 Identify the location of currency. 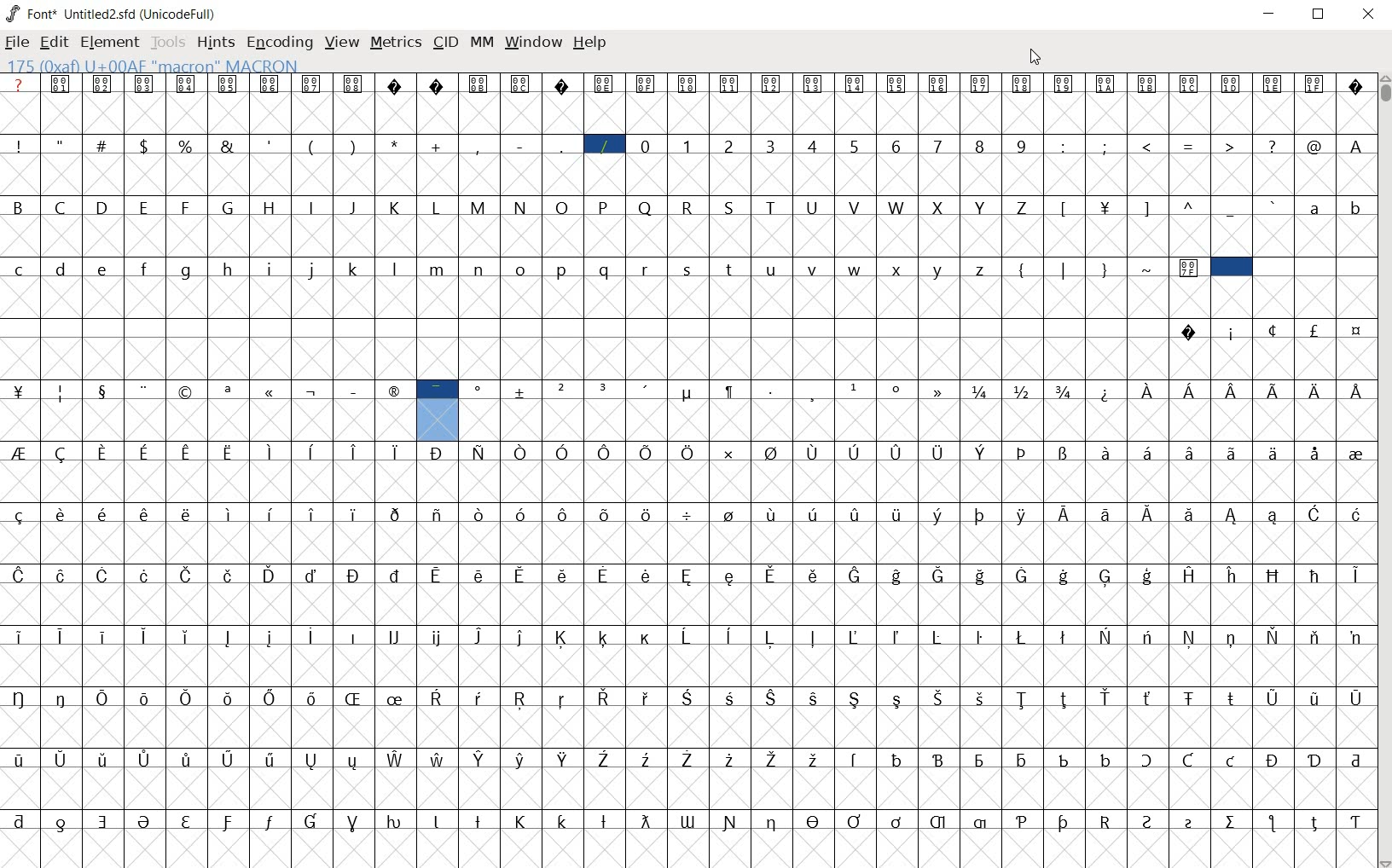
(1107, 226).